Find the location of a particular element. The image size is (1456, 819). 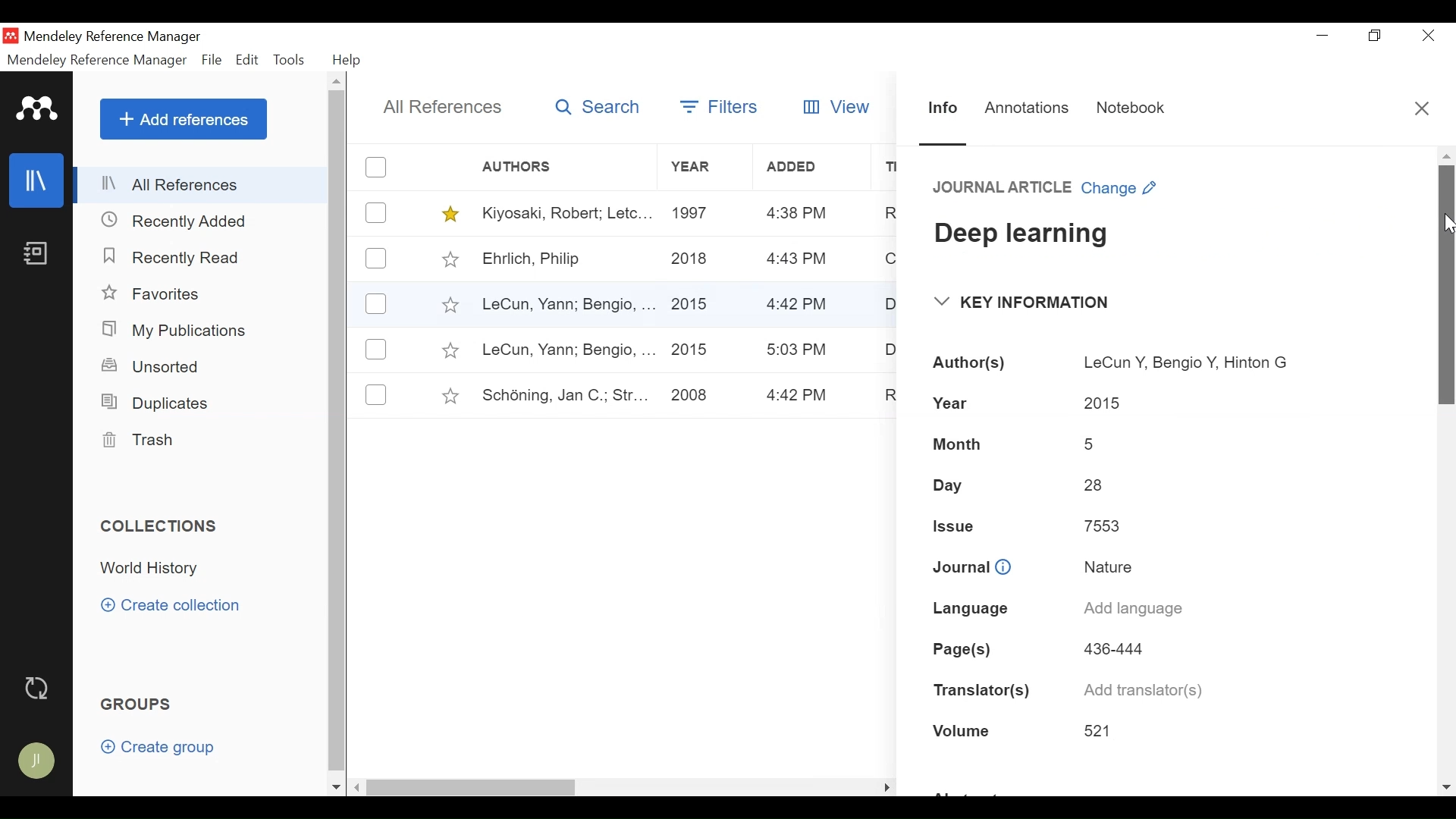

Hide is located at coordinates (886, 784).